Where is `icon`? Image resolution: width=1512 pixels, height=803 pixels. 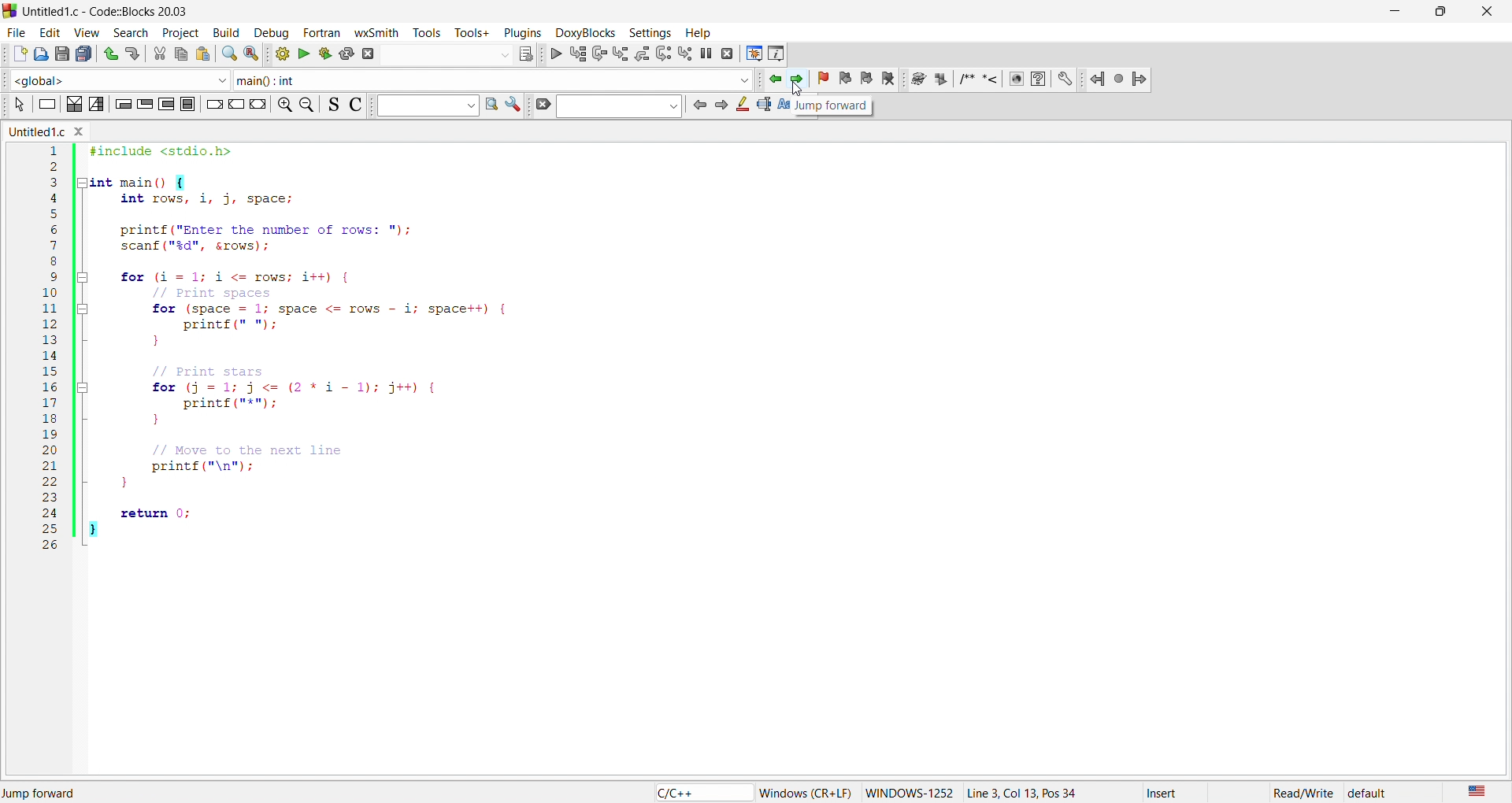
icon is located at coordinates (69, 105).